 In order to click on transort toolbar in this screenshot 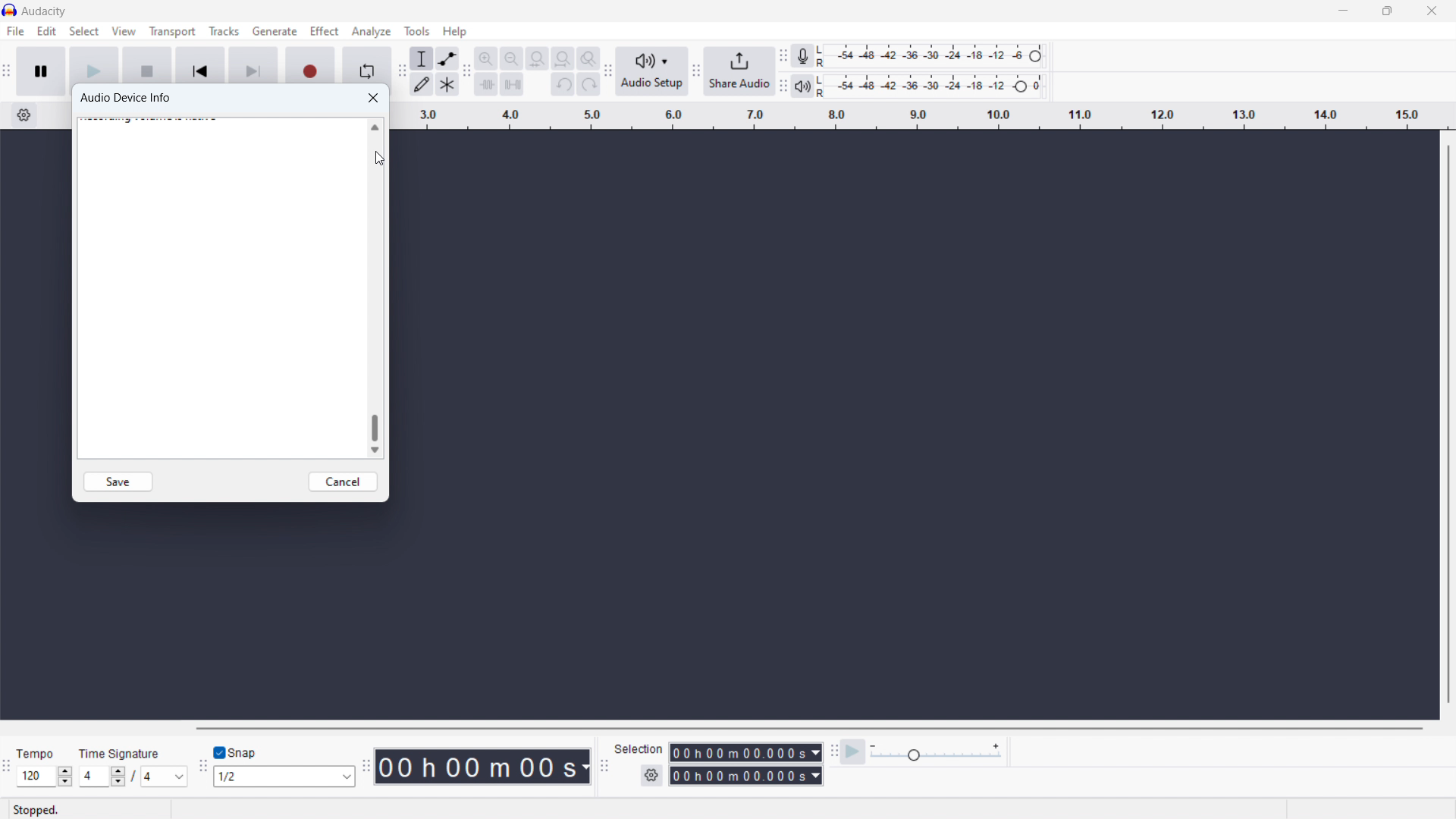, I will do `click(7, 71)`.